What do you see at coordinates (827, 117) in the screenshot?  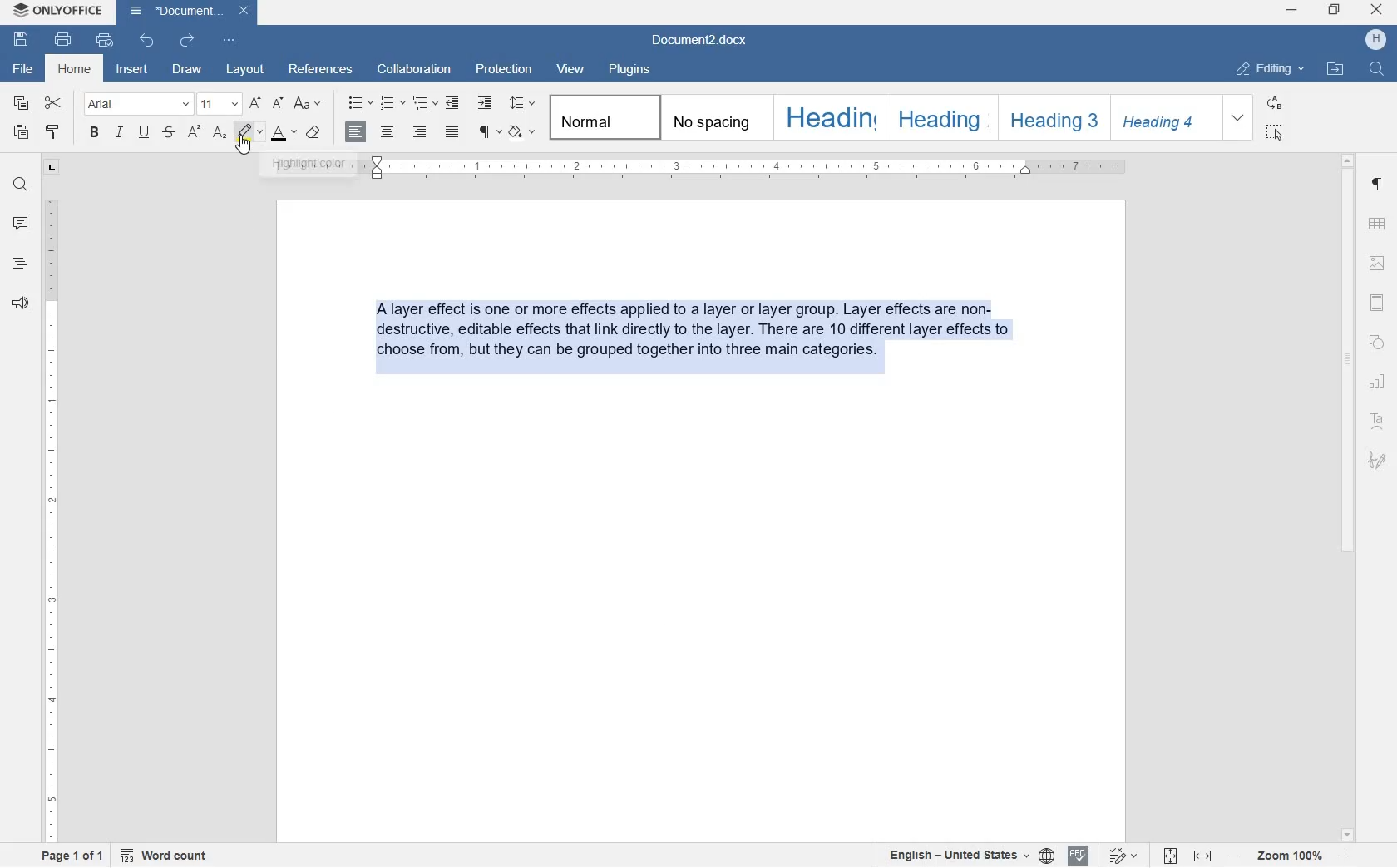 I see `HEADING 1` at bounding box center [827, 117].